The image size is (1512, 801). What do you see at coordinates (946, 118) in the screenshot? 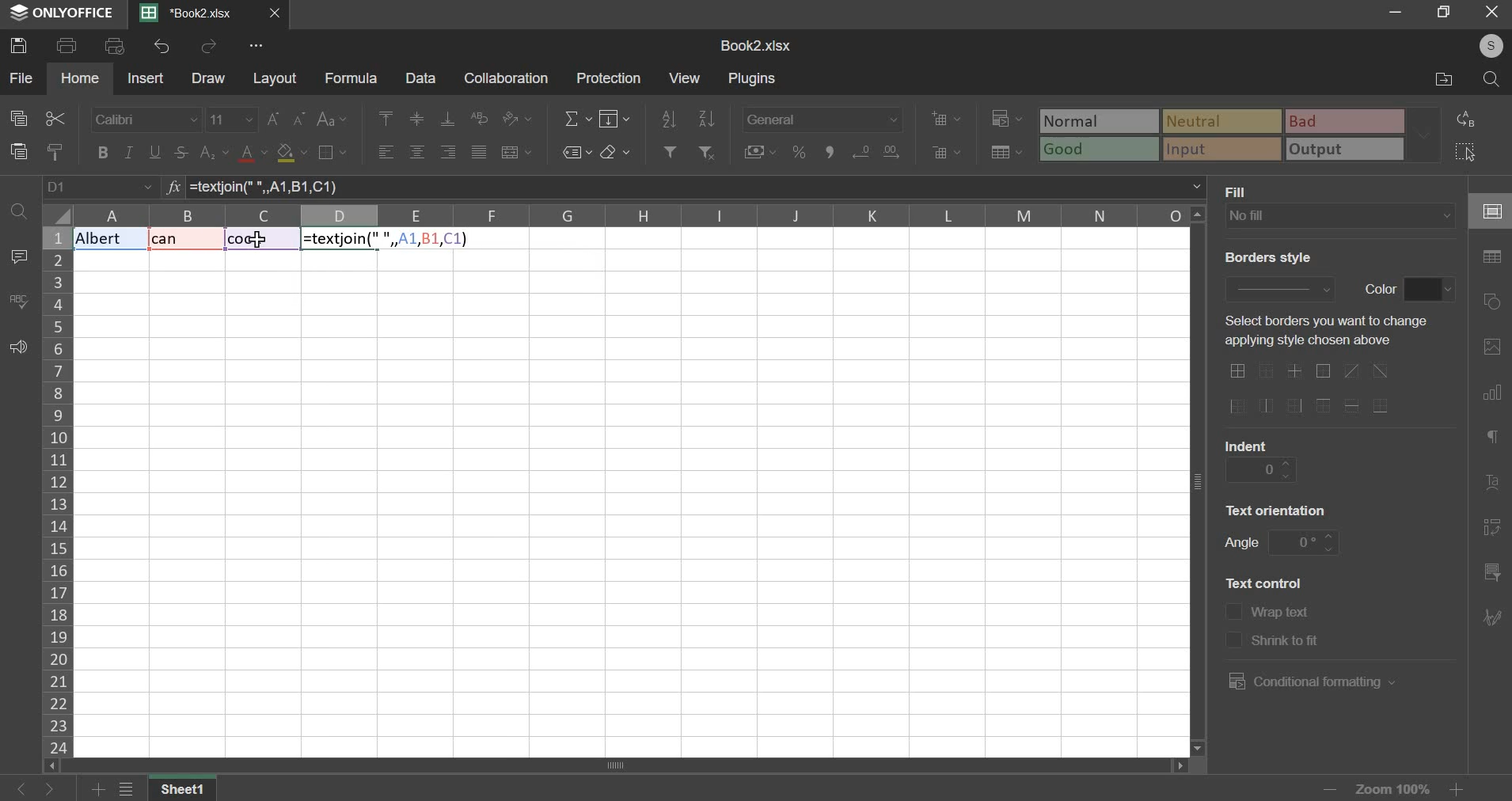
I see `add cells` at bounding box center [946, 118].